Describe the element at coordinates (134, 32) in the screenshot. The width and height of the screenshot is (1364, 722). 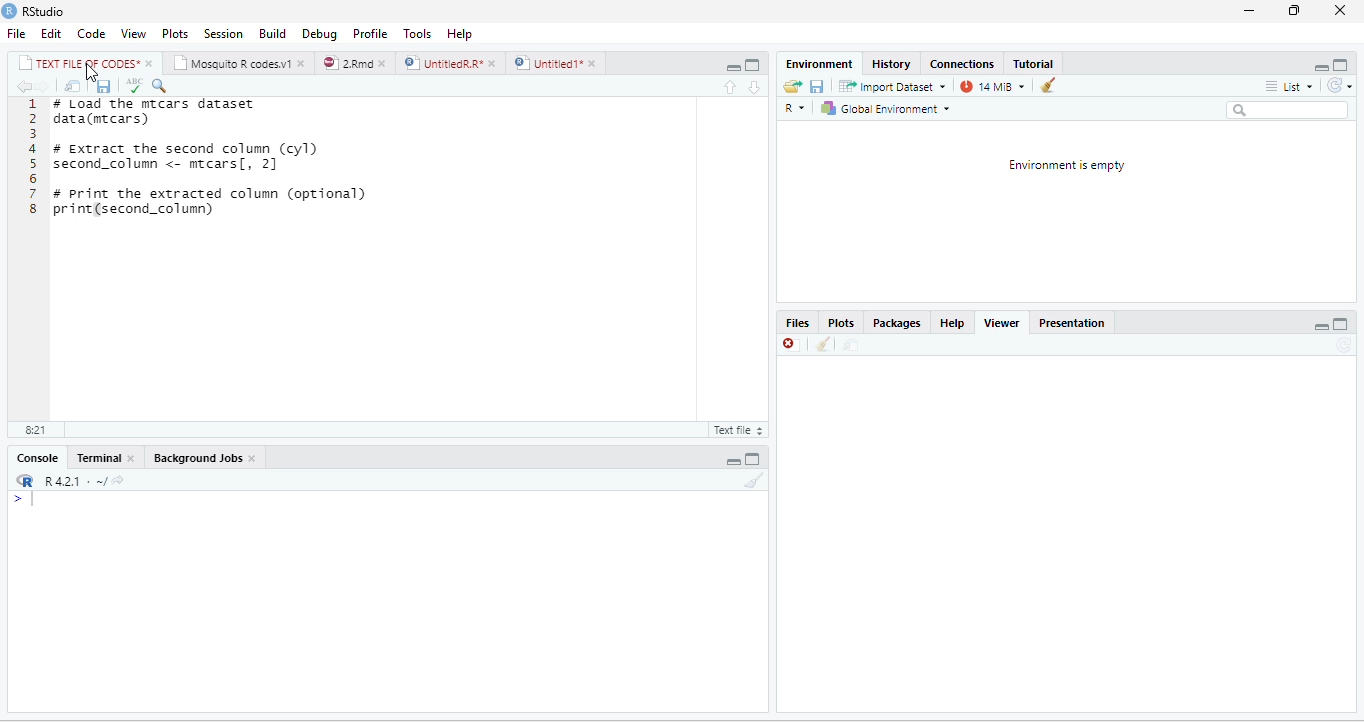
I see `View` at that location.